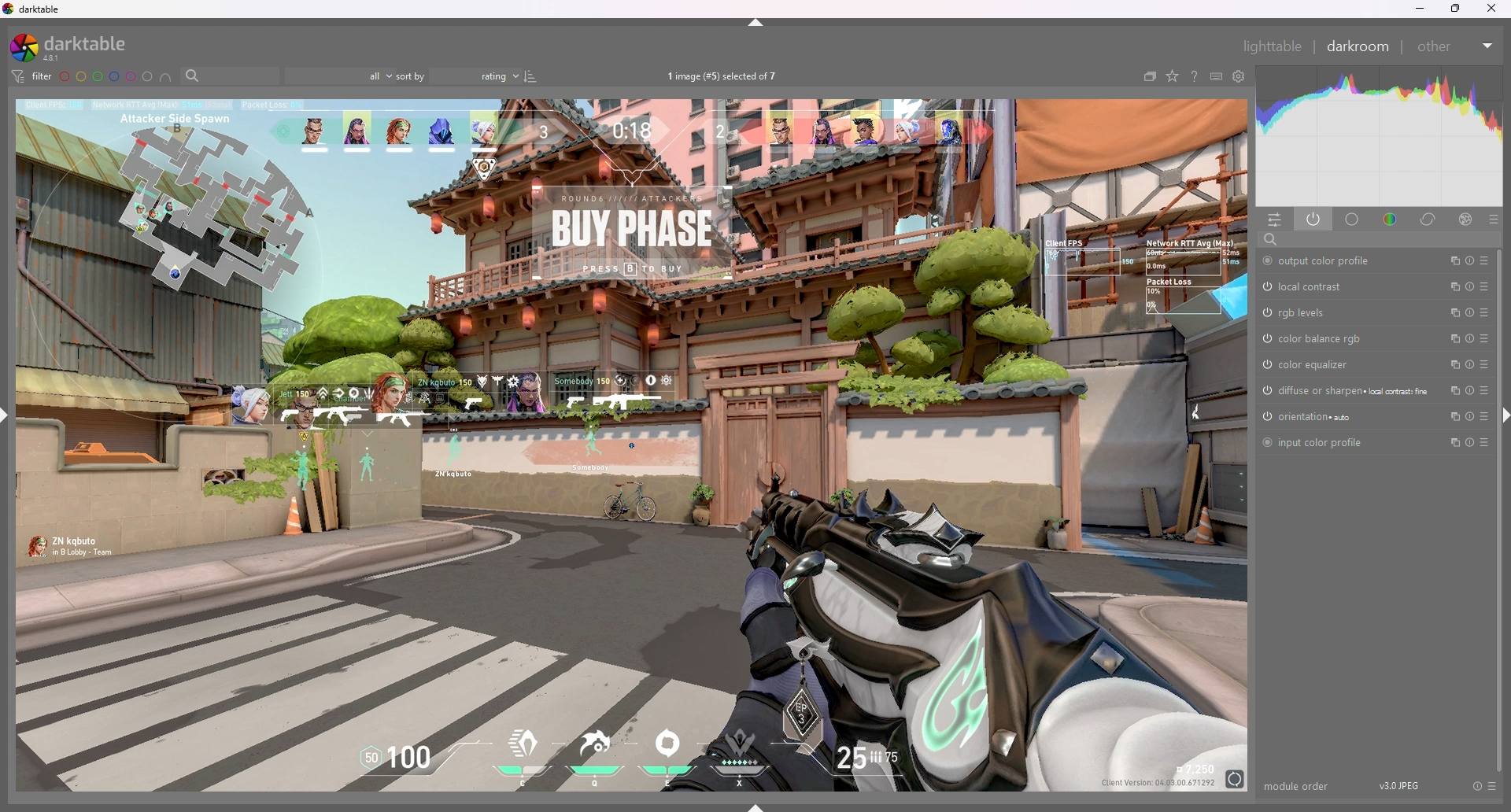 The height and width of the screenshot is (812, 1511). I want to click on other, so click(1455, 45).